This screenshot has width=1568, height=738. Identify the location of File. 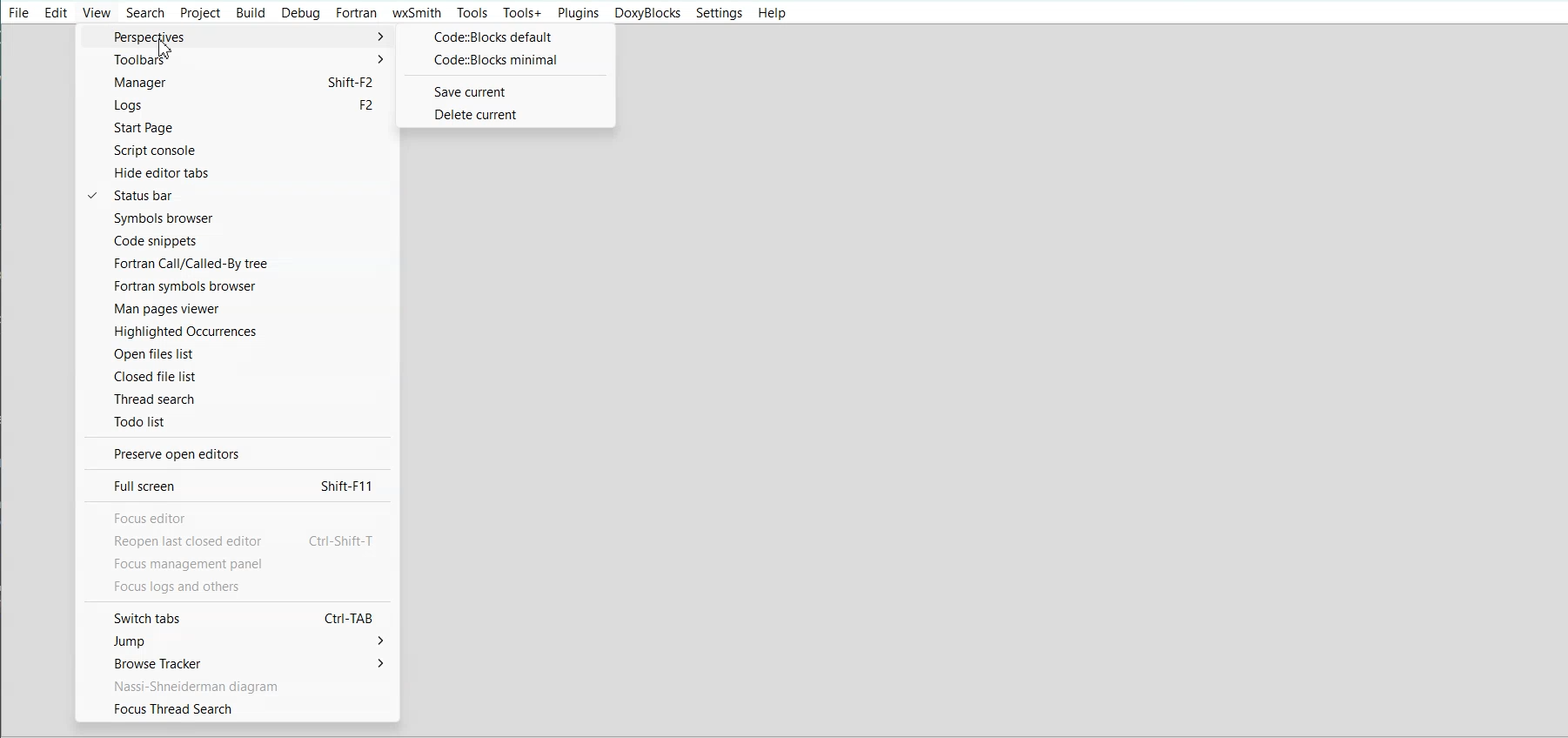
(19, 11).